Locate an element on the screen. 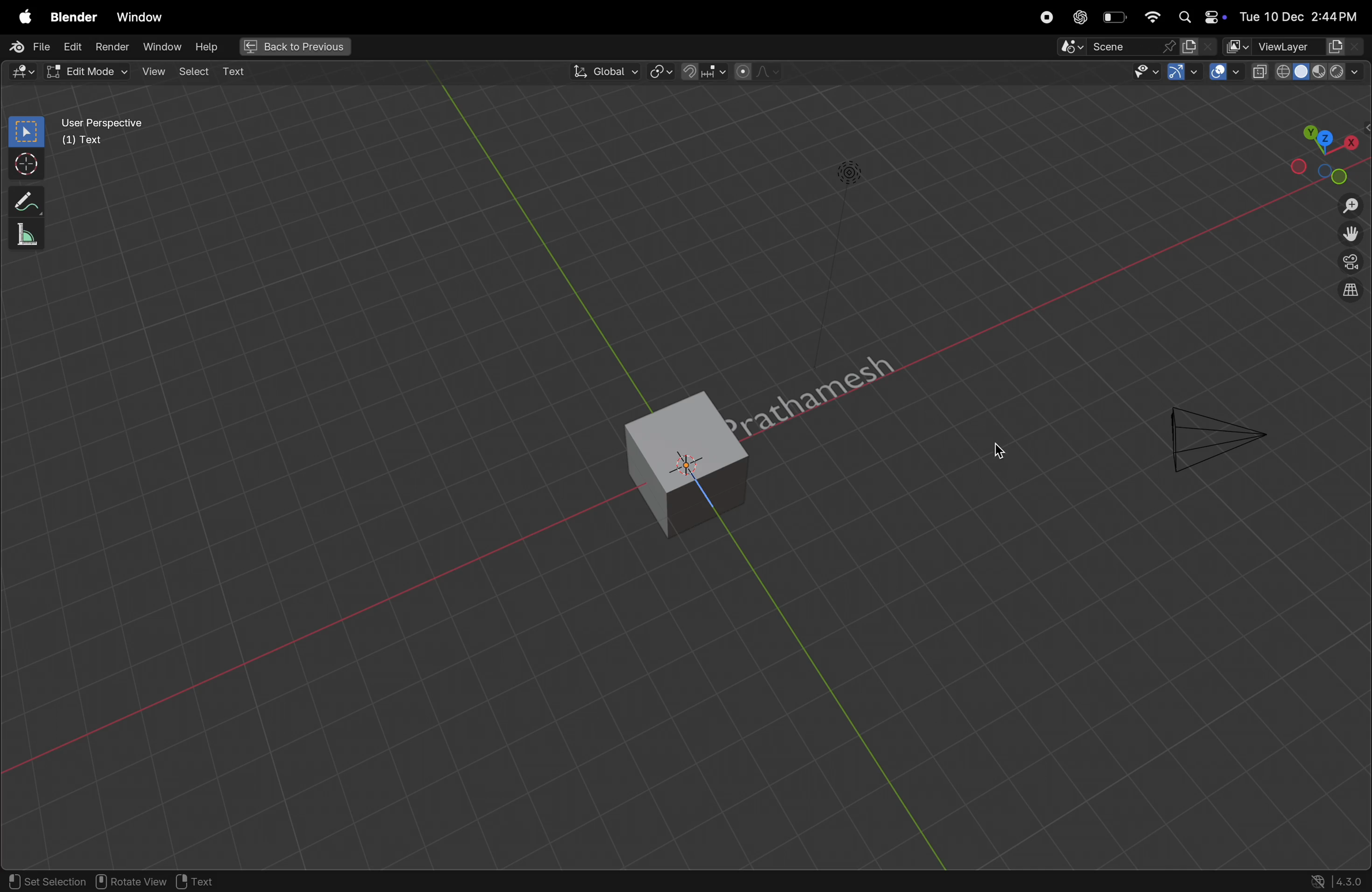  3D cube is located at coordinates (656, 462).